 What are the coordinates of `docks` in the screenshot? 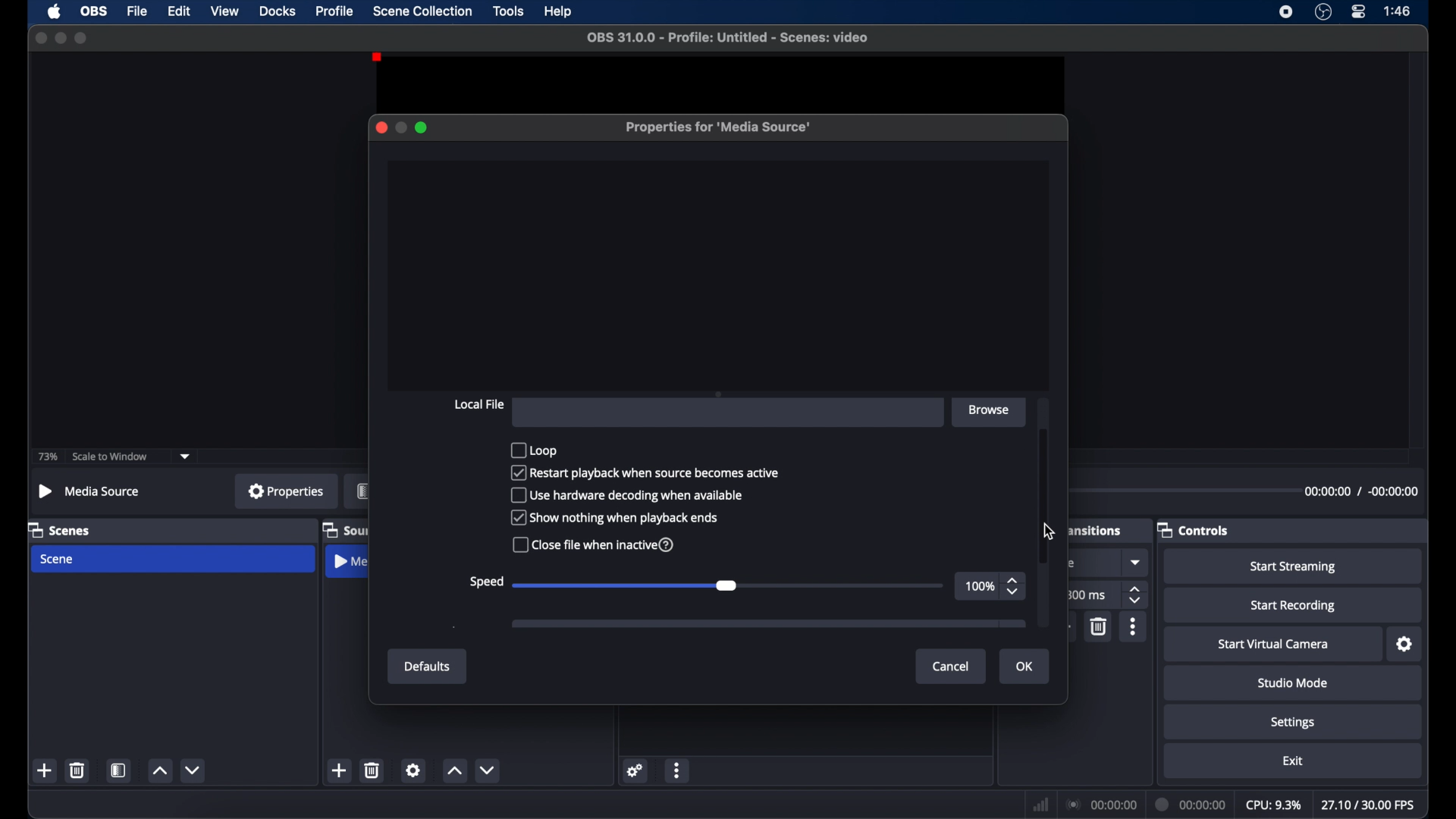 It's located at (279, 11).